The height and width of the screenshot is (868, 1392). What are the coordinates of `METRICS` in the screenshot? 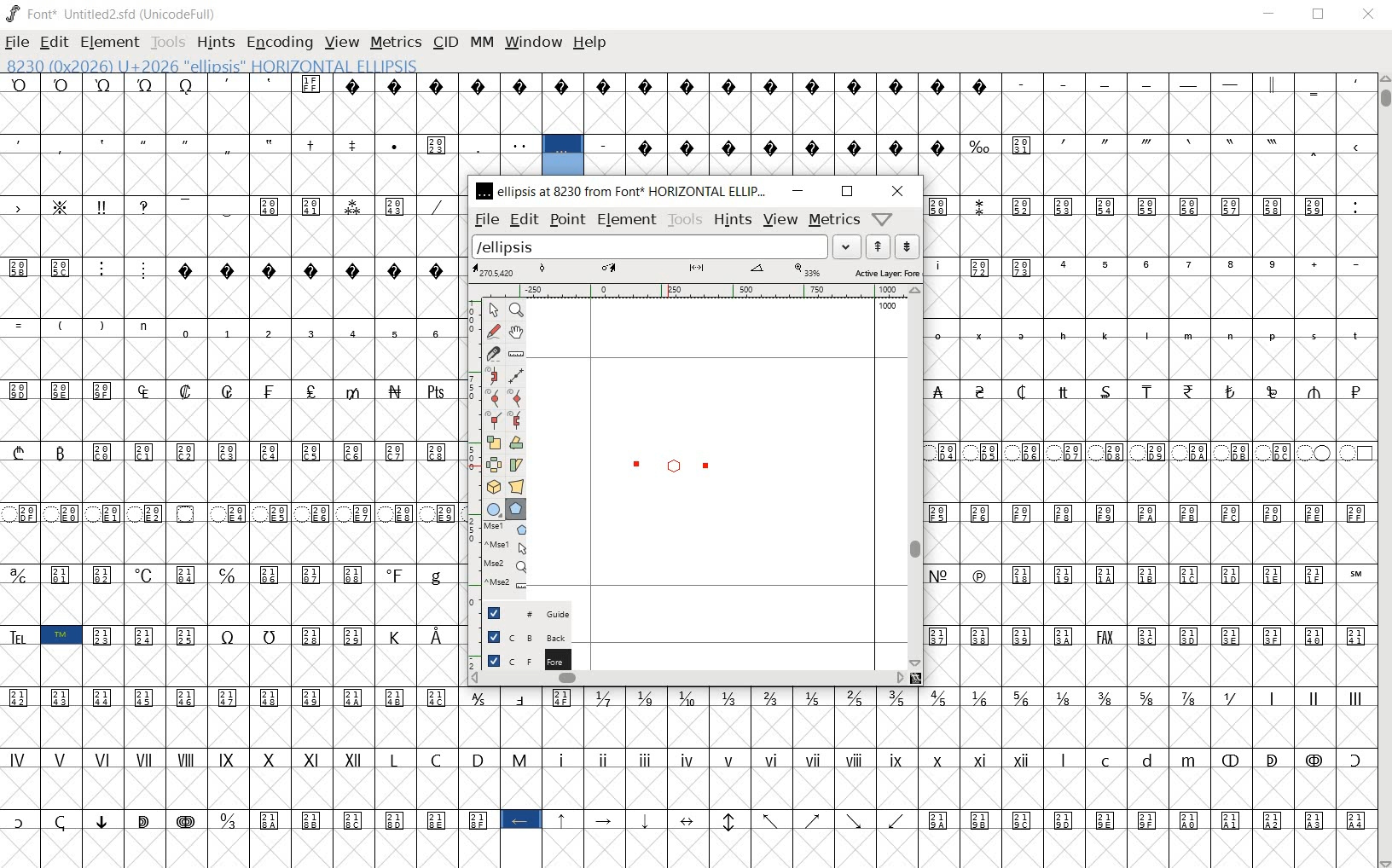 It's located at (396, 42).